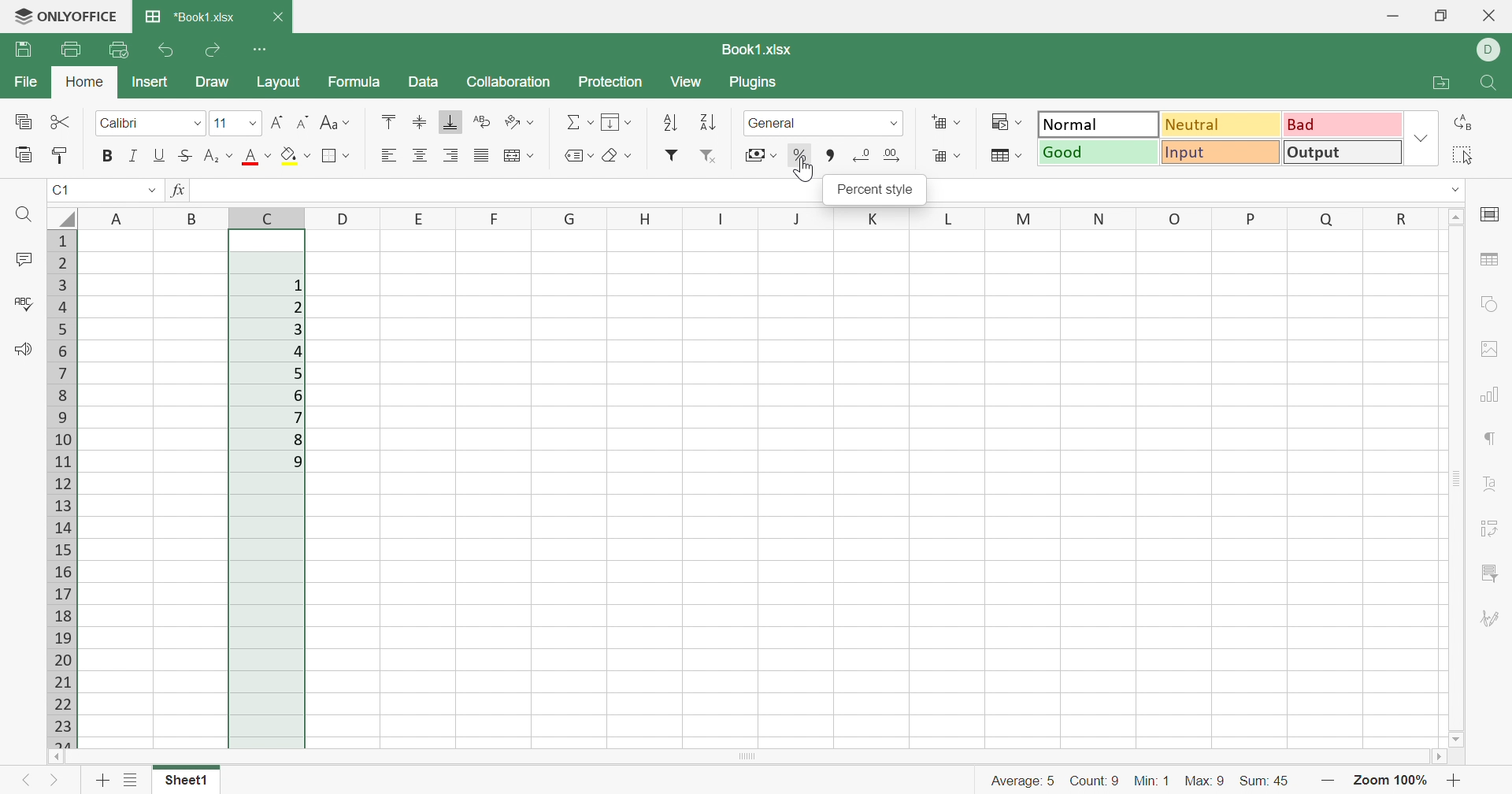  Describe the element at coordinates (1492, 440) in the screenshot. I see `Paragraph settings` at that location.